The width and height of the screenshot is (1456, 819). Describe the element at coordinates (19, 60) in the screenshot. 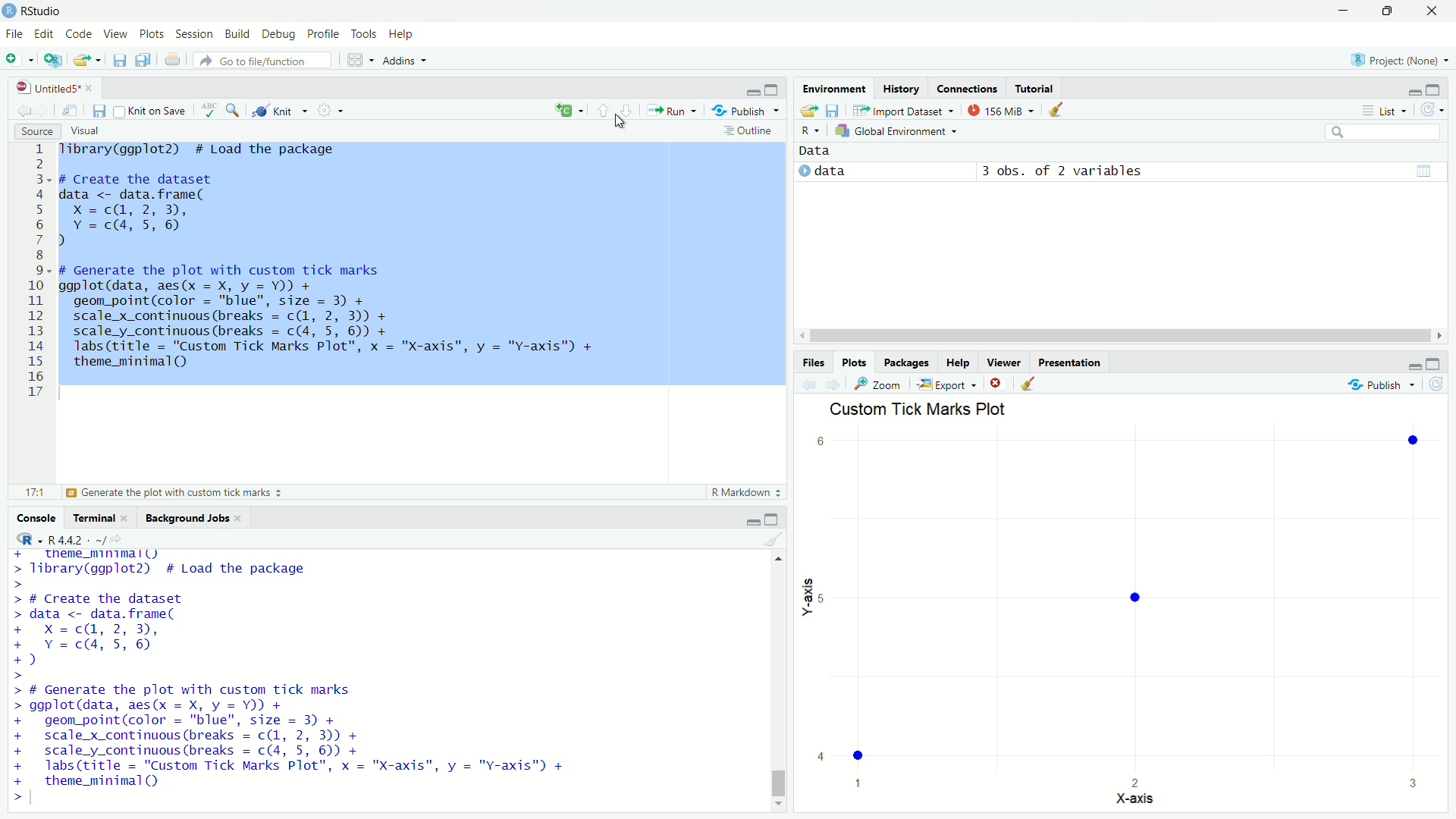

I see `new file` at that location.